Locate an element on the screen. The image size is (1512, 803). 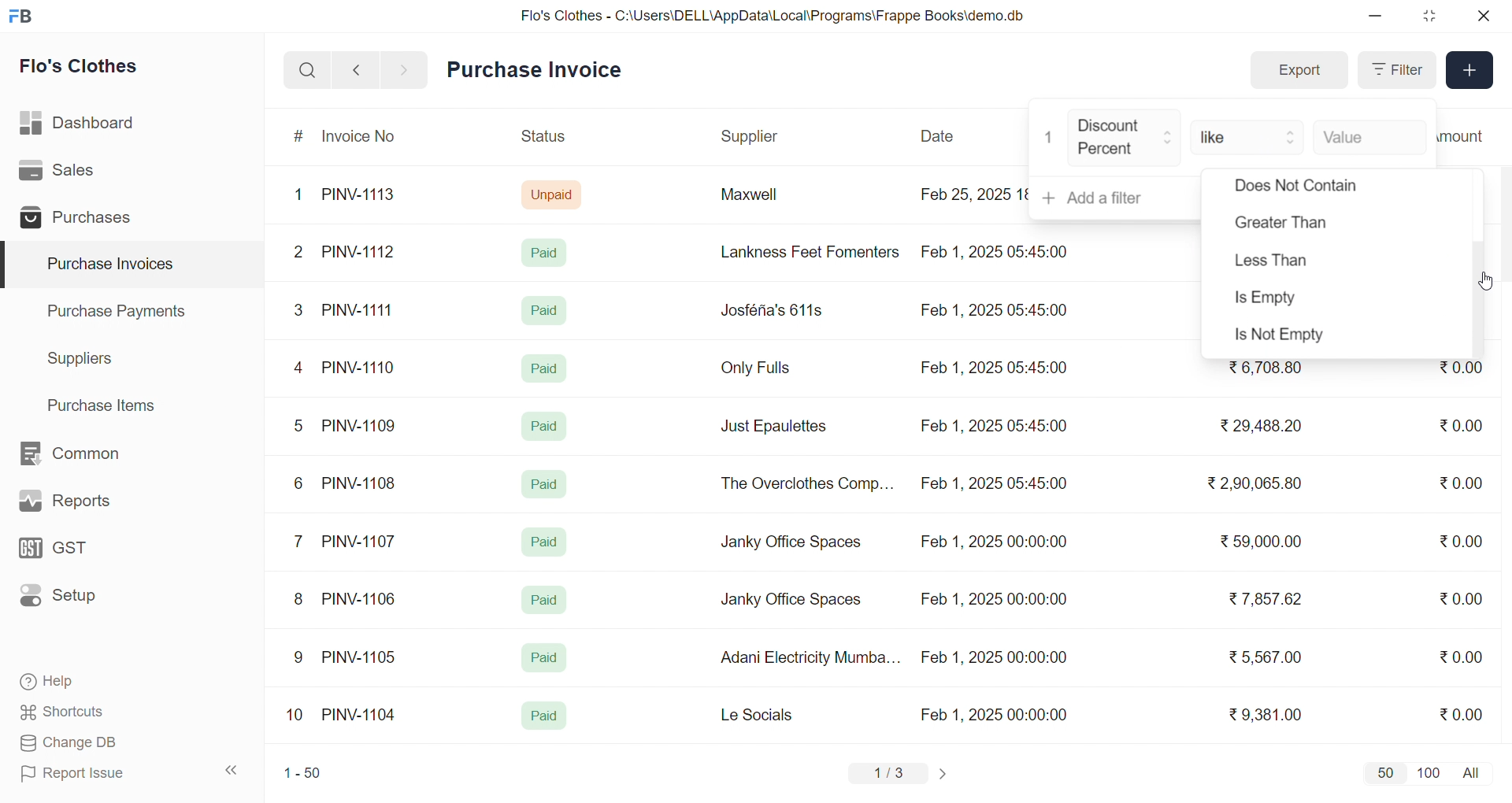
2 is located at coordinates (301, 254).